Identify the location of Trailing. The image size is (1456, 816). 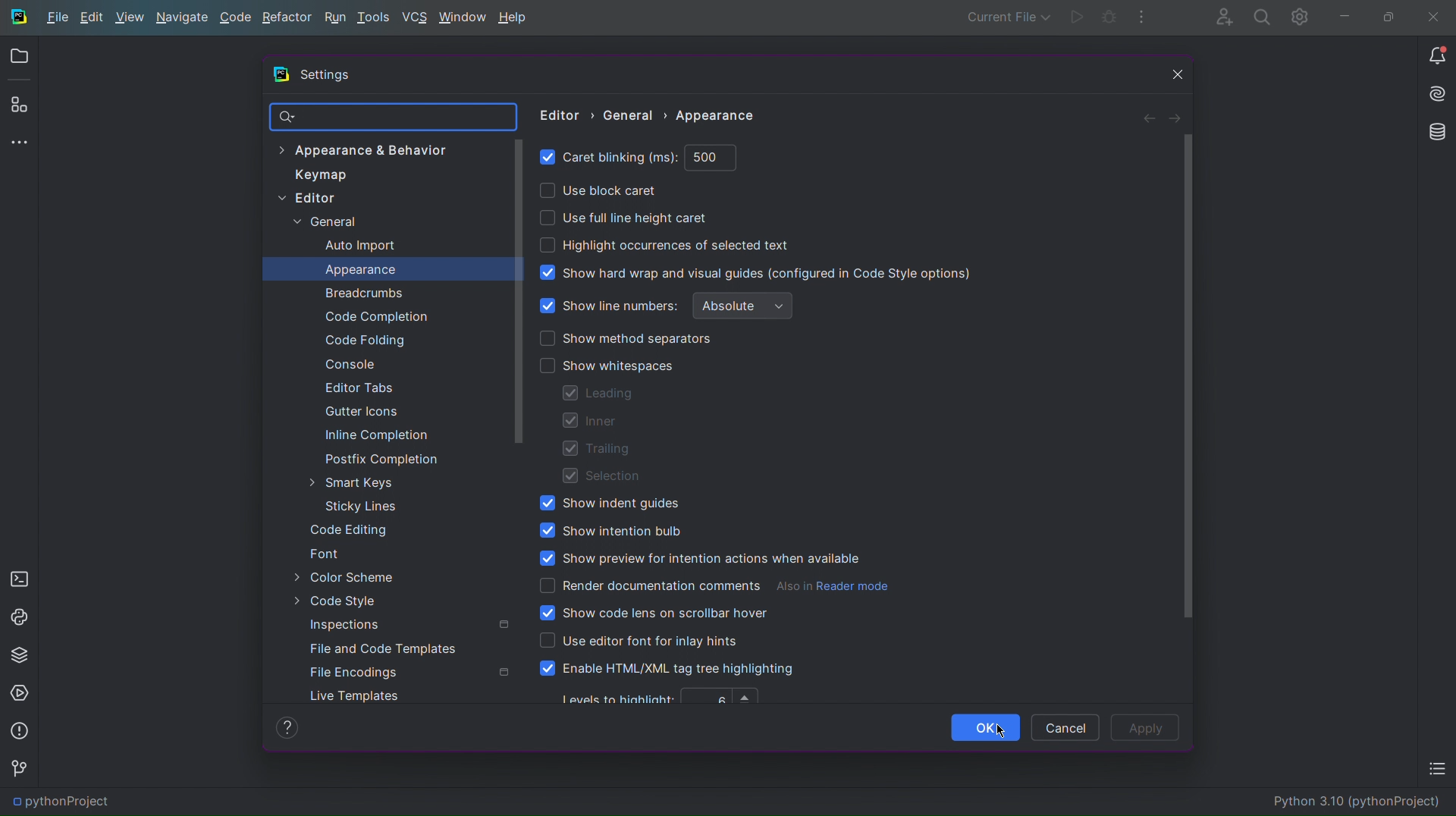
(596, 450).